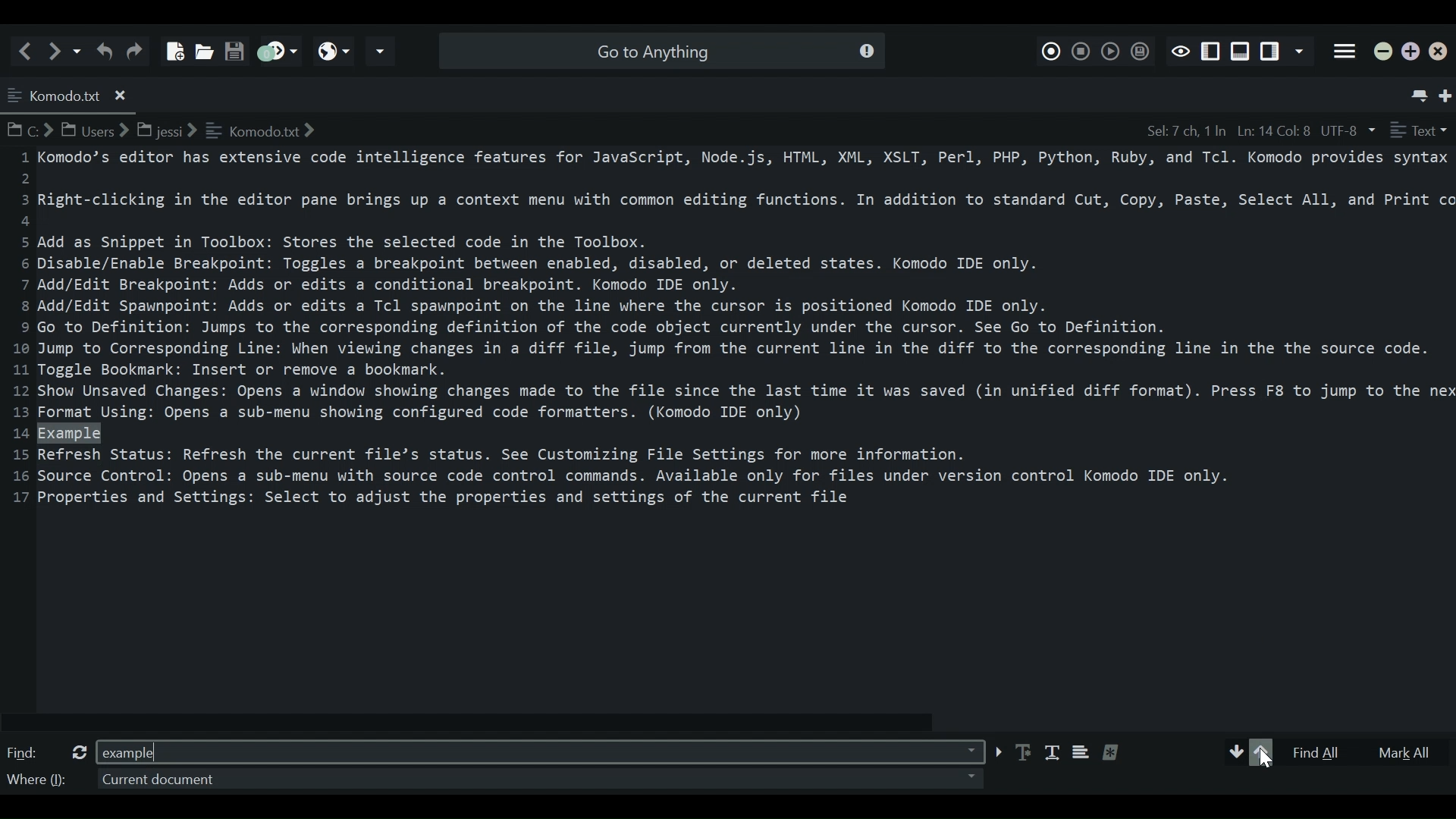 The height and width of the screenshot is (819, 1456). I want to click on Restore, so click(1411, 52).